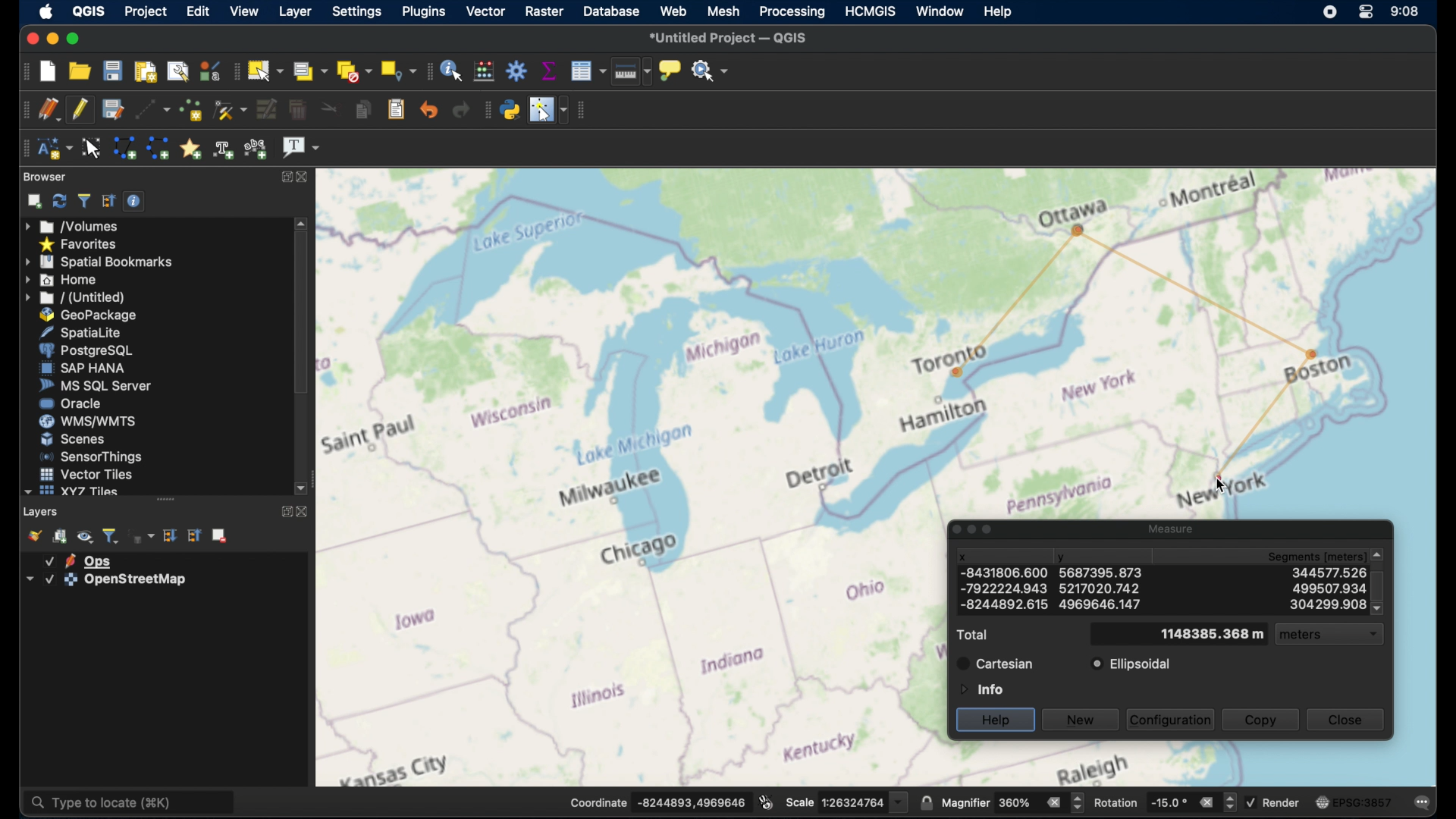 This screenshot has height=819, width=1456. I want to click on magnifier, so click(1012, 802).